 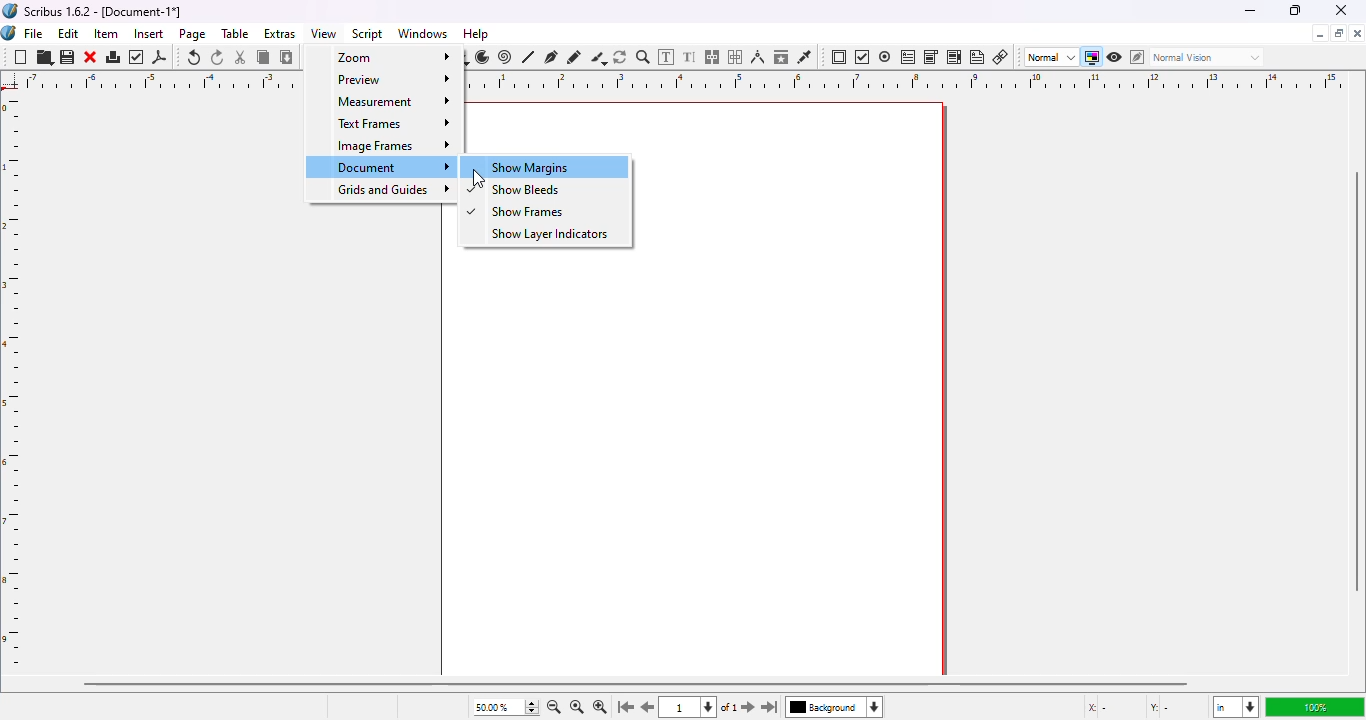 I want to click on Scribus 1.6.2 - [Document-1*], so click(x=104, y=11).